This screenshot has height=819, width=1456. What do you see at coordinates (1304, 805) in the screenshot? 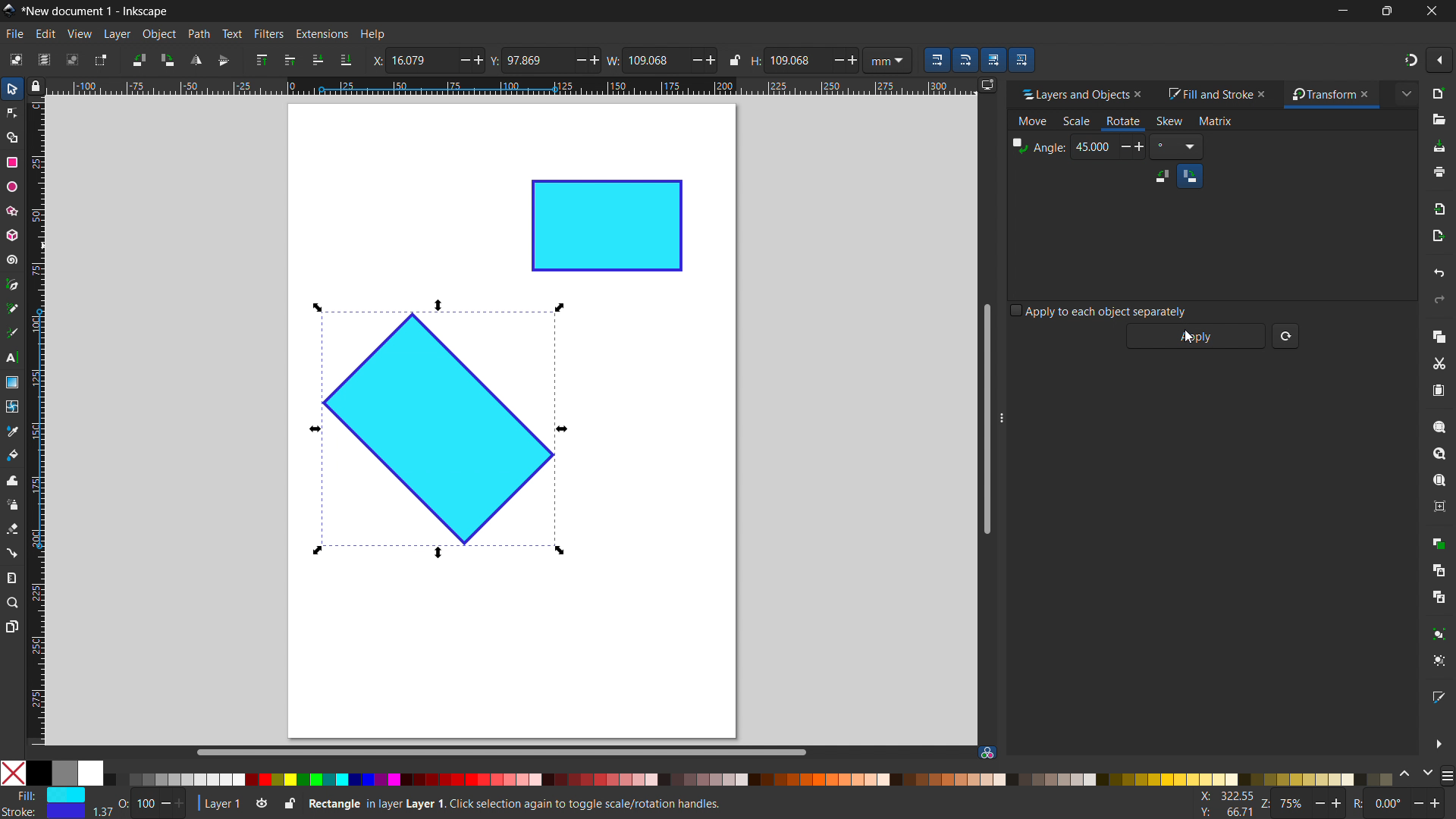
I see `Z: 75%` at bounding box center [1304, 805].